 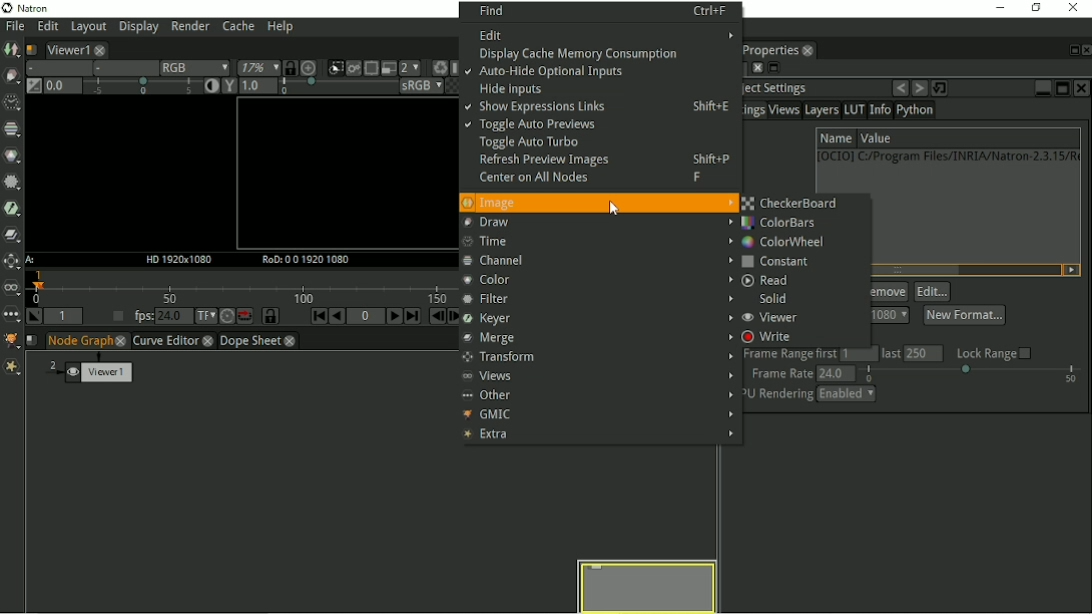 I want to click on Name, so click(x=835, y=137).